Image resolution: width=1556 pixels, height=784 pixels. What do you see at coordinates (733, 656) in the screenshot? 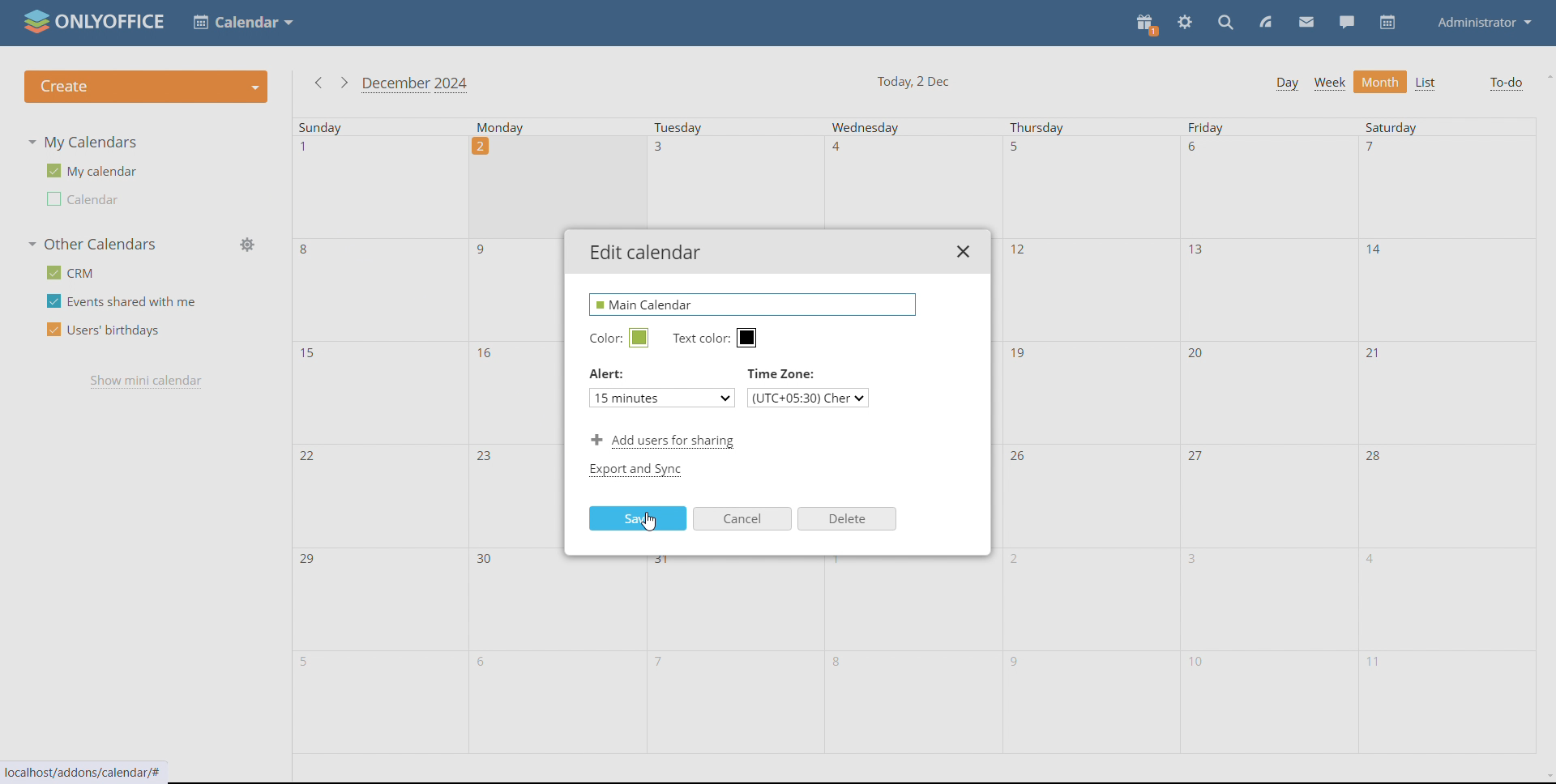
I see `tuesday` at bounding box center [733, 656].